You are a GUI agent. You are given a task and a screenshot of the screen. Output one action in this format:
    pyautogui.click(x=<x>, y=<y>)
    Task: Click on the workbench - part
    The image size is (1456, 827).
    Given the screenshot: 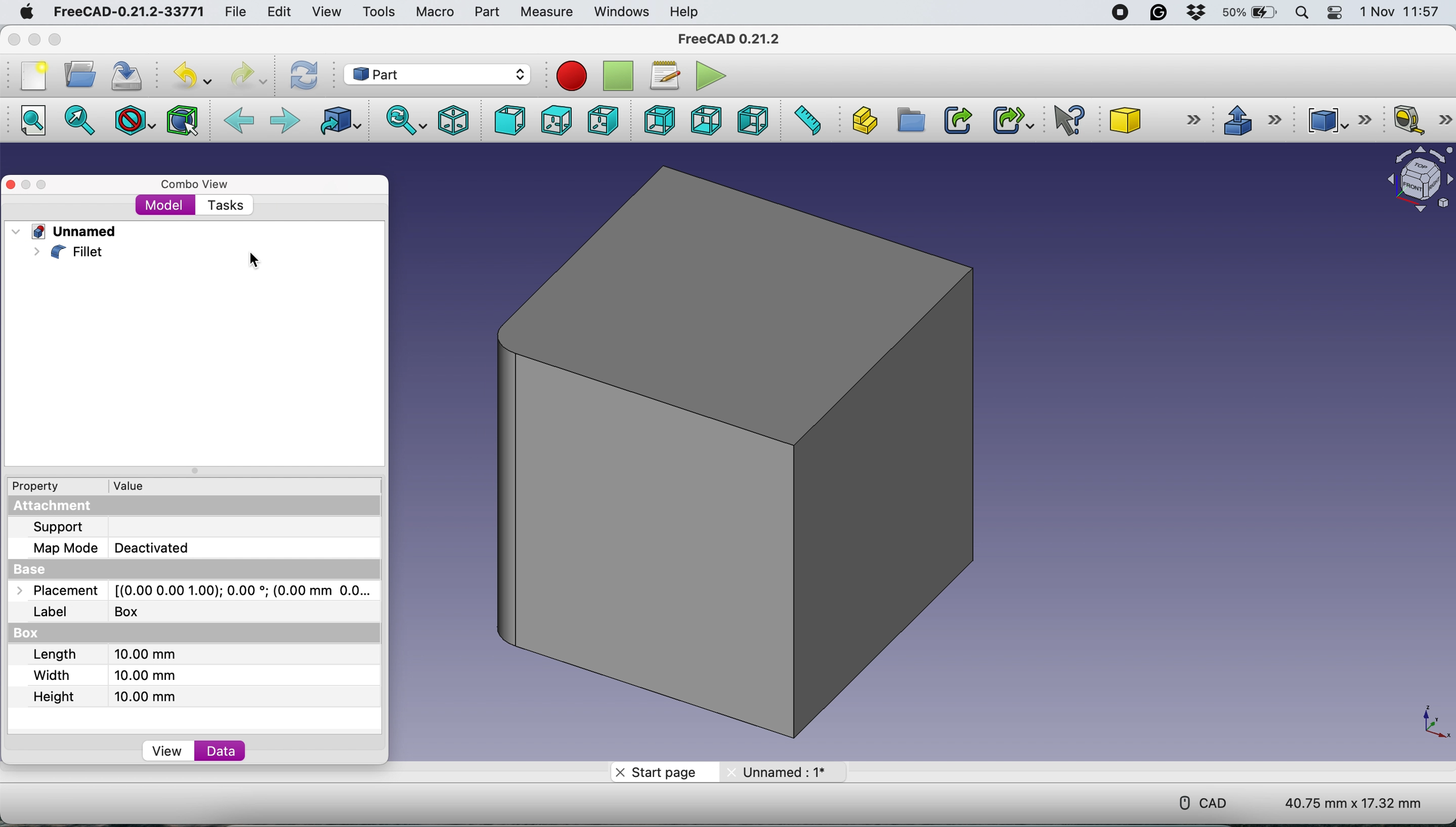 What is the action you would take?
    pyautogui.click(x=436, y=74)
    